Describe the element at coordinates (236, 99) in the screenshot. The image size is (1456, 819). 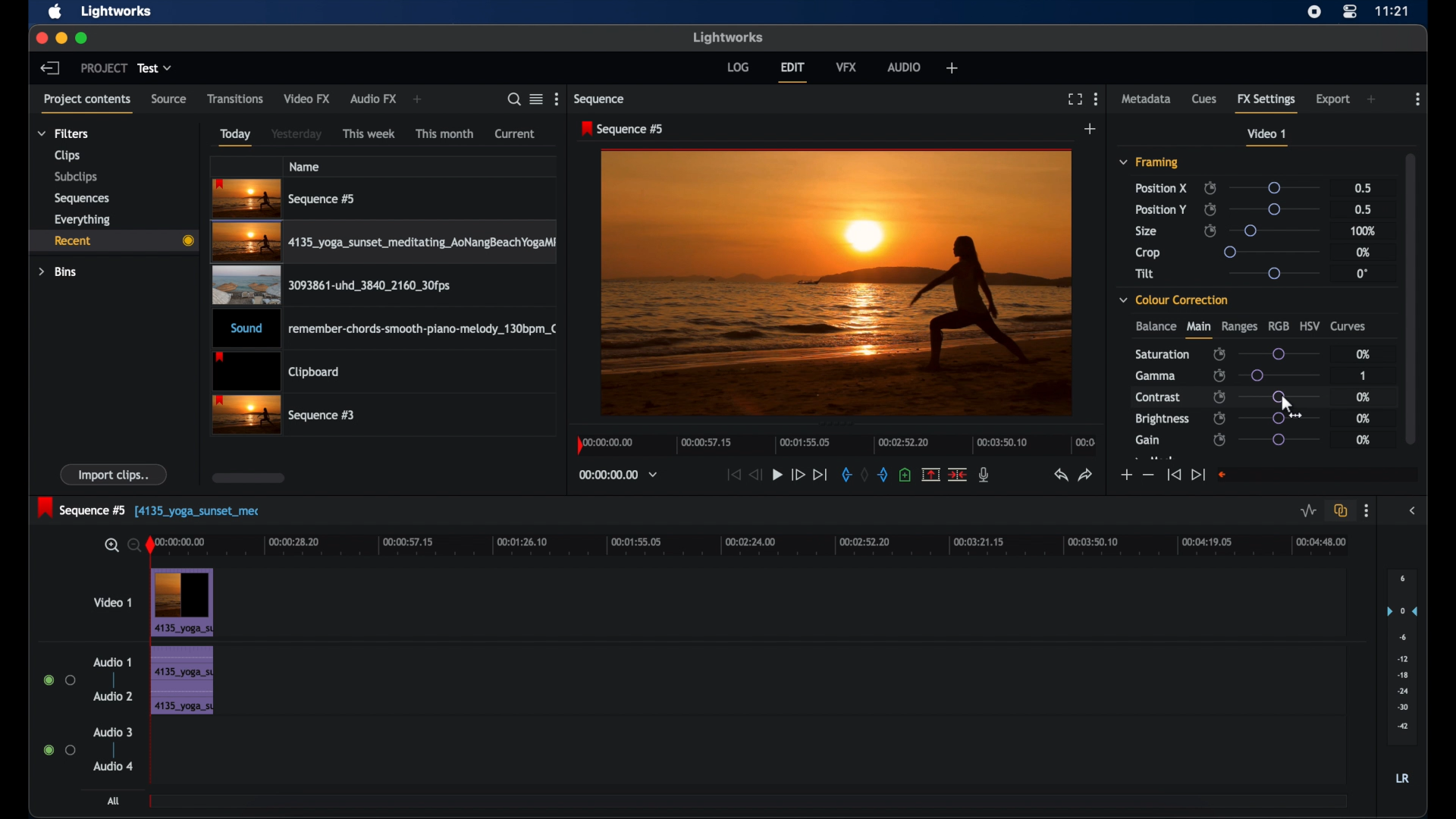
I see `transitions` at that location.